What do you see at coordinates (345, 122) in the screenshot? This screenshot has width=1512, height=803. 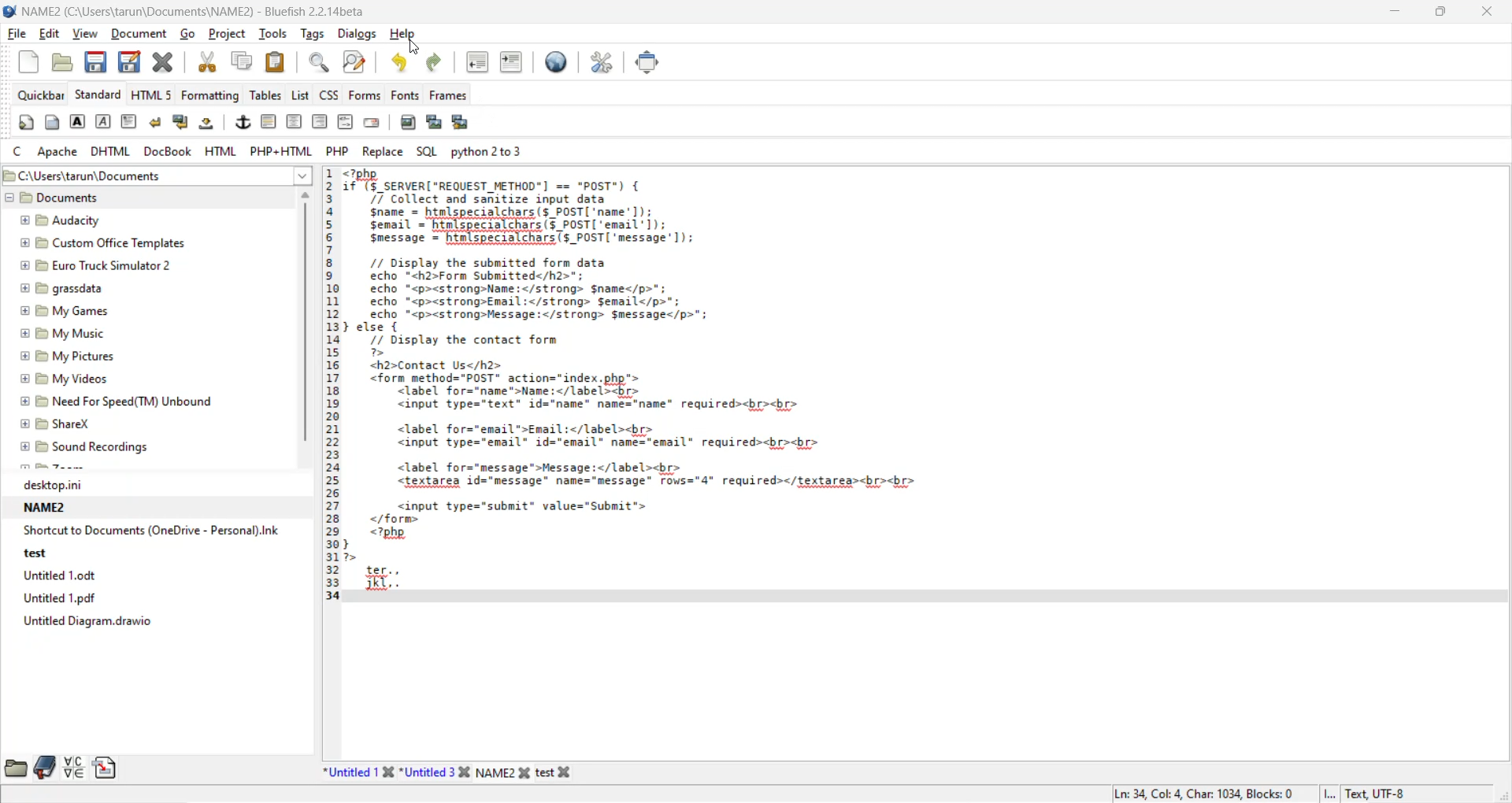 I see `html comment` at bounding box center [345, 122].